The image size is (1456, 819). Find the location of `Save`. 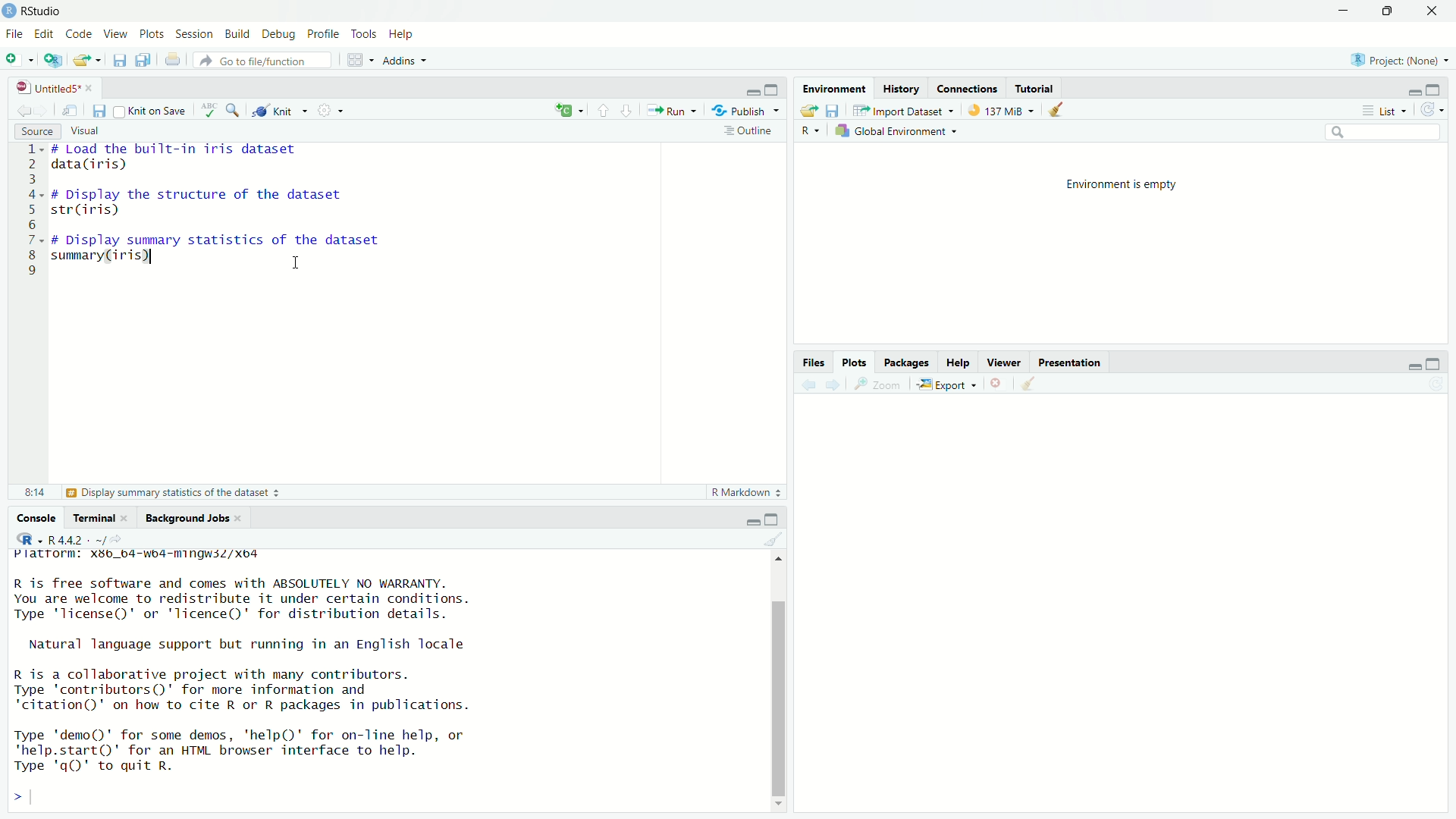

Save is located at coordinates (836, 109).